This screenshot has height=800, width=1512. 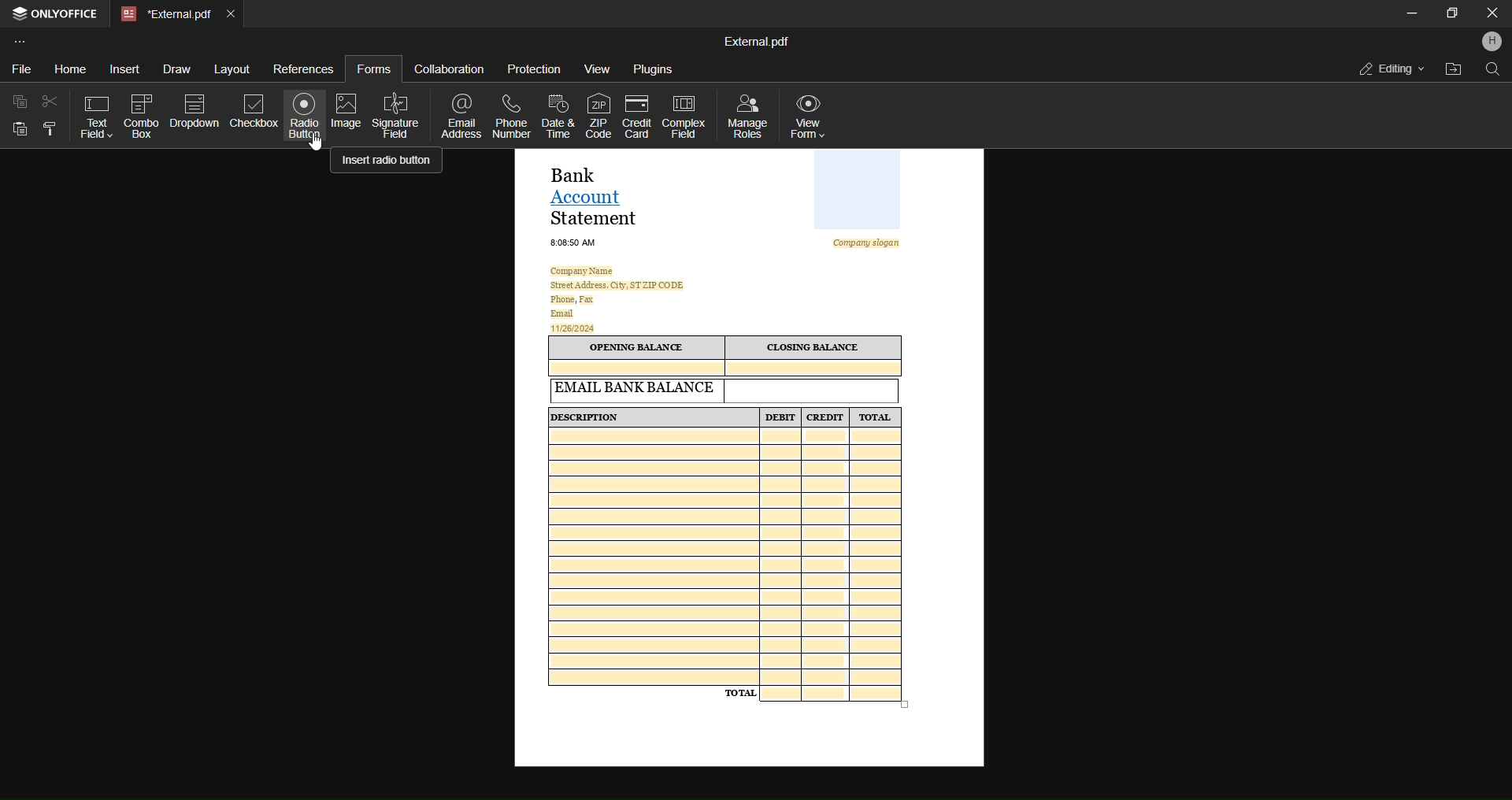 What do you see at coordinates (141, 118) in the screenshot?
I see `combo box` at bounding box center [141, 118].